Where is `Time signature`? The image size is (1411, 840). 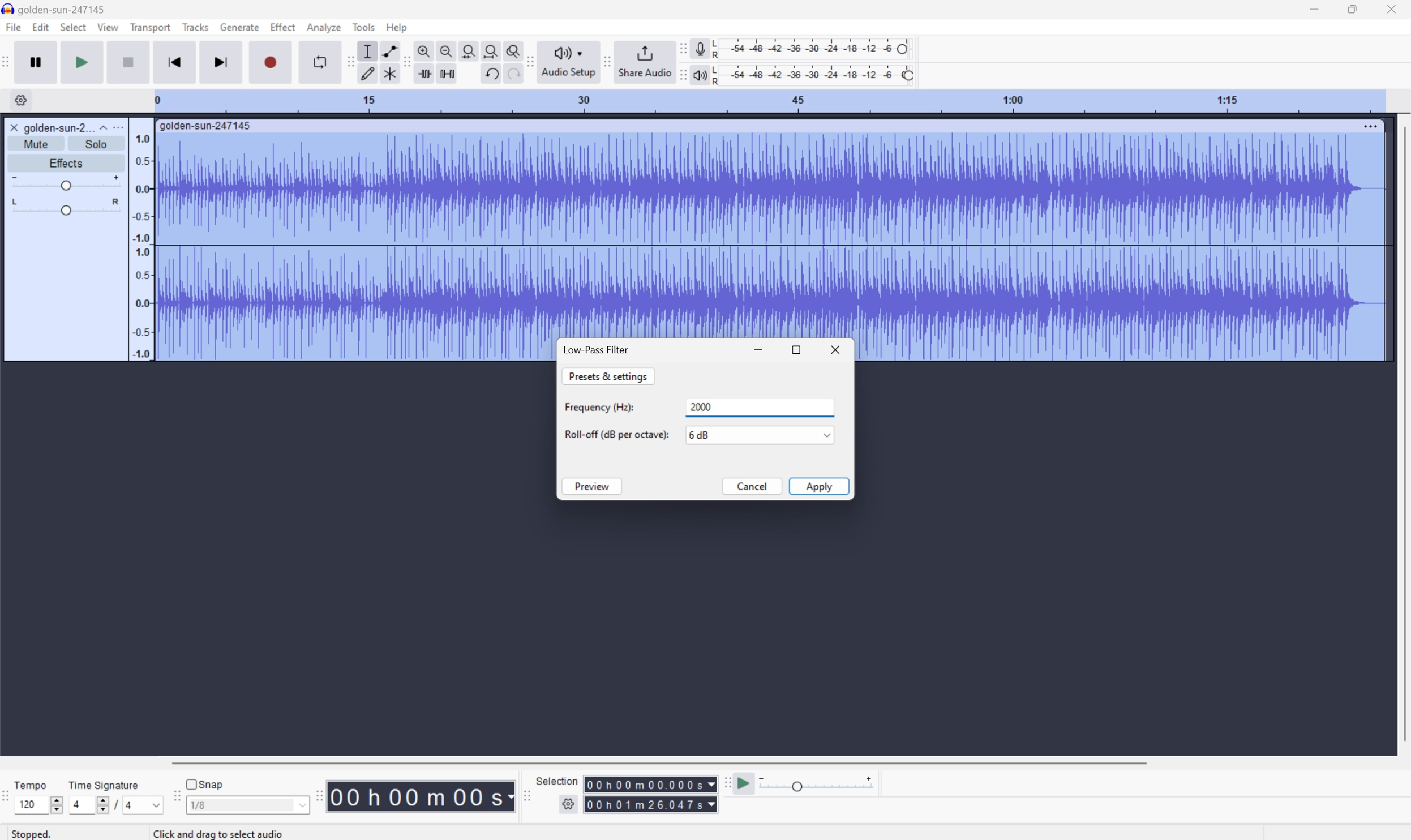
Time signature is located at coordinates (103, 785).